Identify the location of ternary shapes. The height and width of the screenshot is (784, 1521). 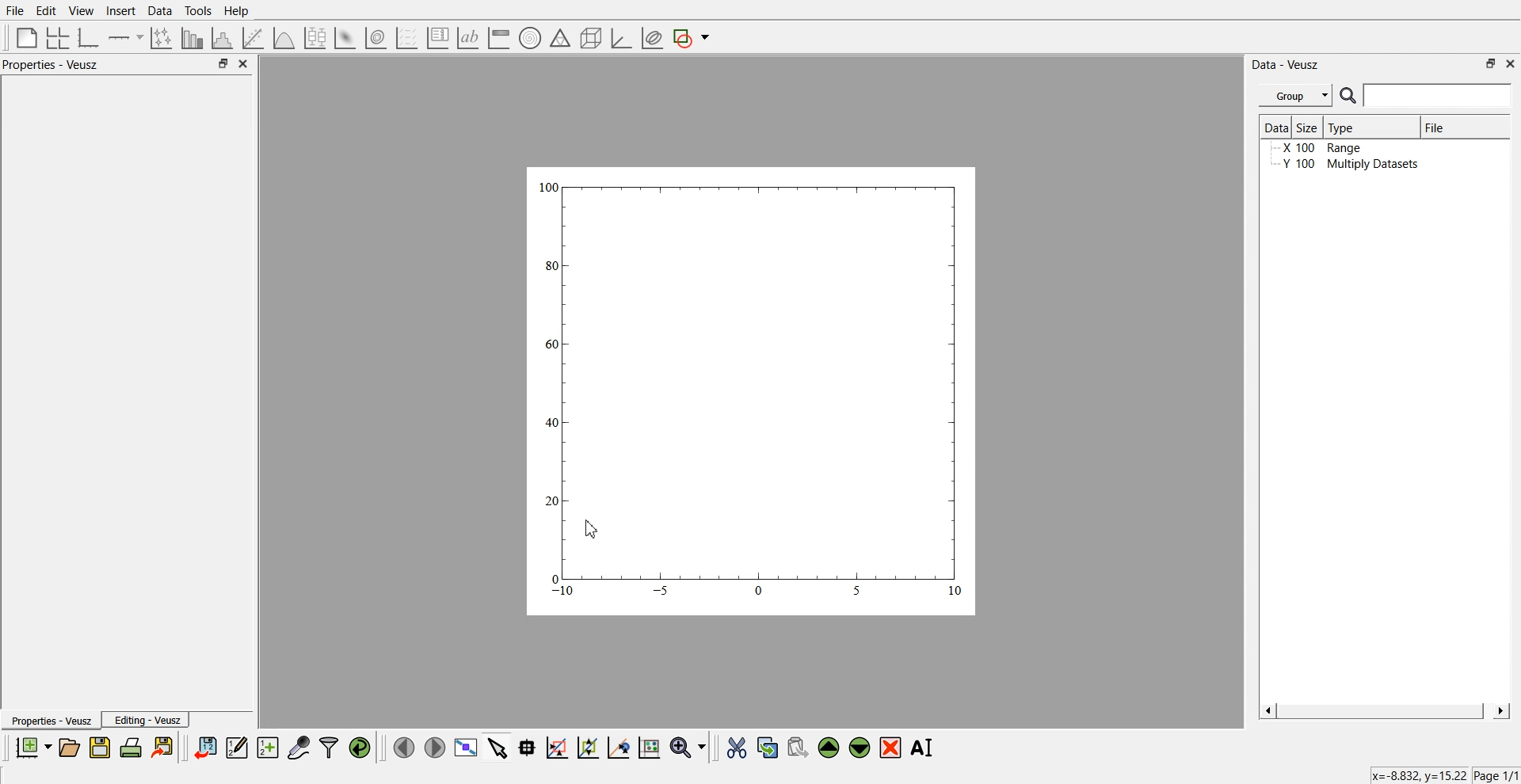
(558, 40).